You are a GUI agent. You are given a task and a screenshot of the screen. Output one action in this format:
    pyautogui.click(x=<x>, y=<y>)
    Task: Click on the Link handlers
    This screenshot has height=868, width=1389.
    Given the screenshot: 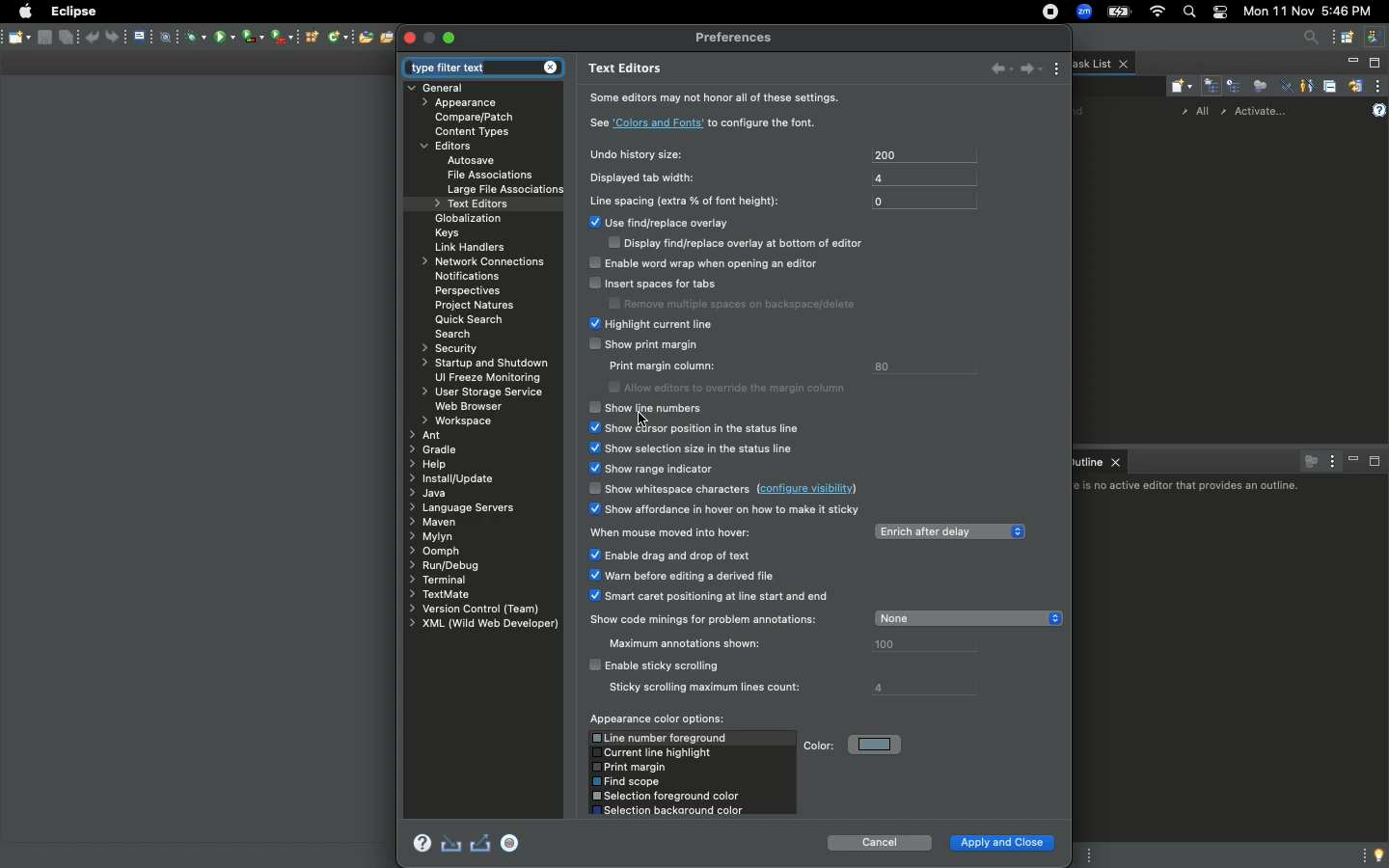 What is the action you would take?
    pyautogui.click(x=475, y=247)
    